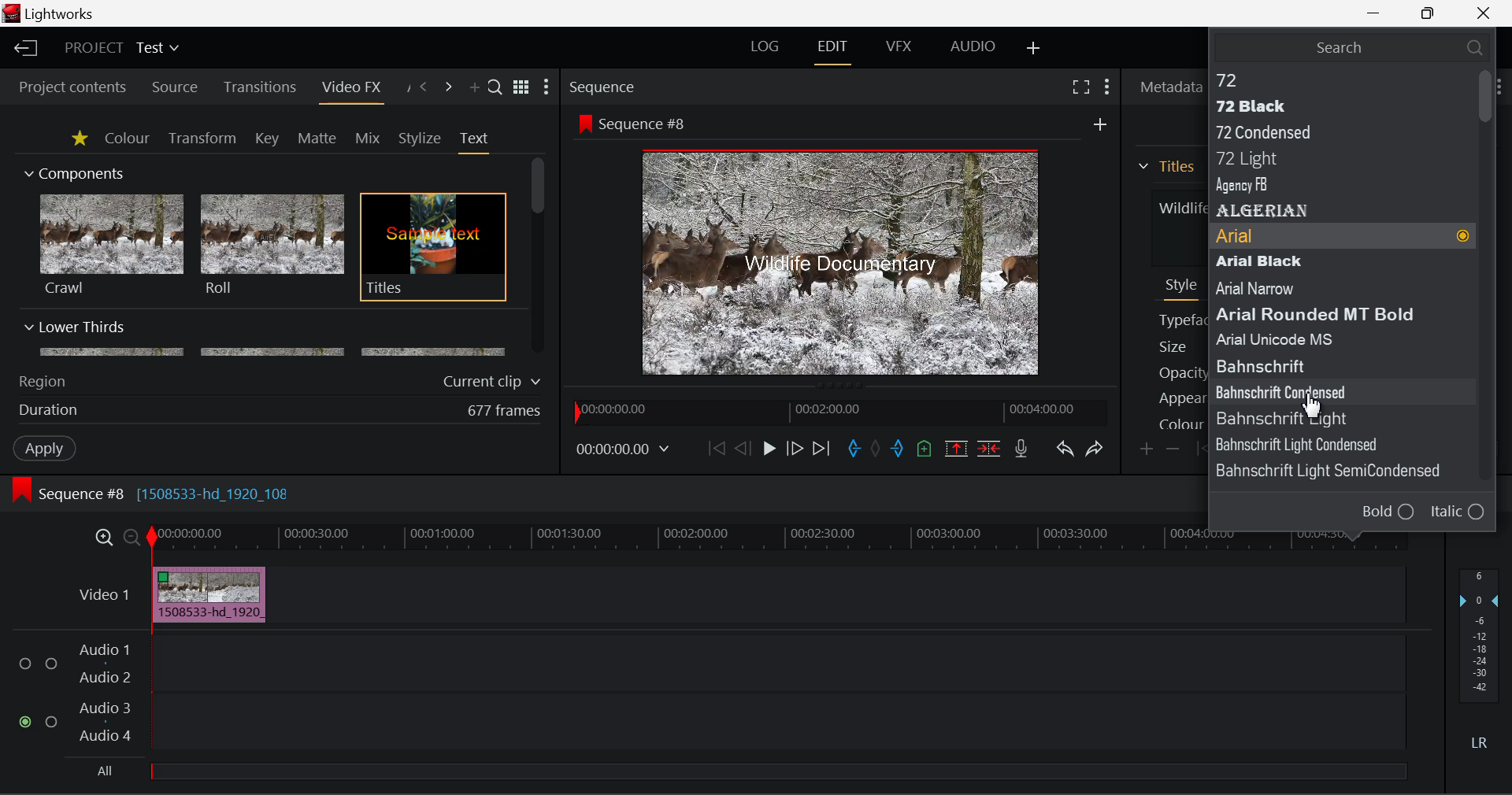  Describe the element at coordinates (271, 246) in the screenshot. I see `Roll` at that location.